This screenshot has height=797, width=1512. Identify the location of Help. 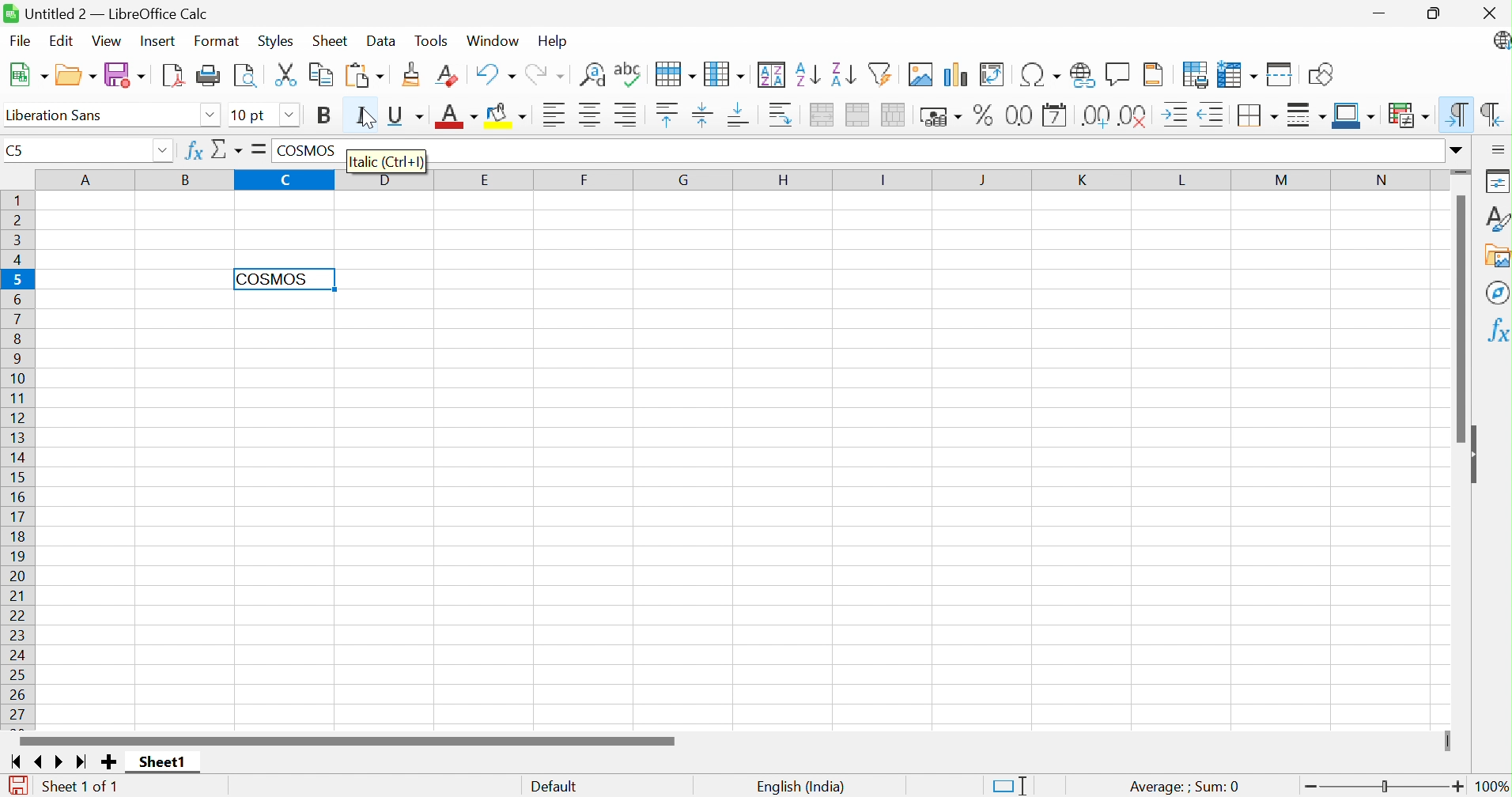
(553, 42).